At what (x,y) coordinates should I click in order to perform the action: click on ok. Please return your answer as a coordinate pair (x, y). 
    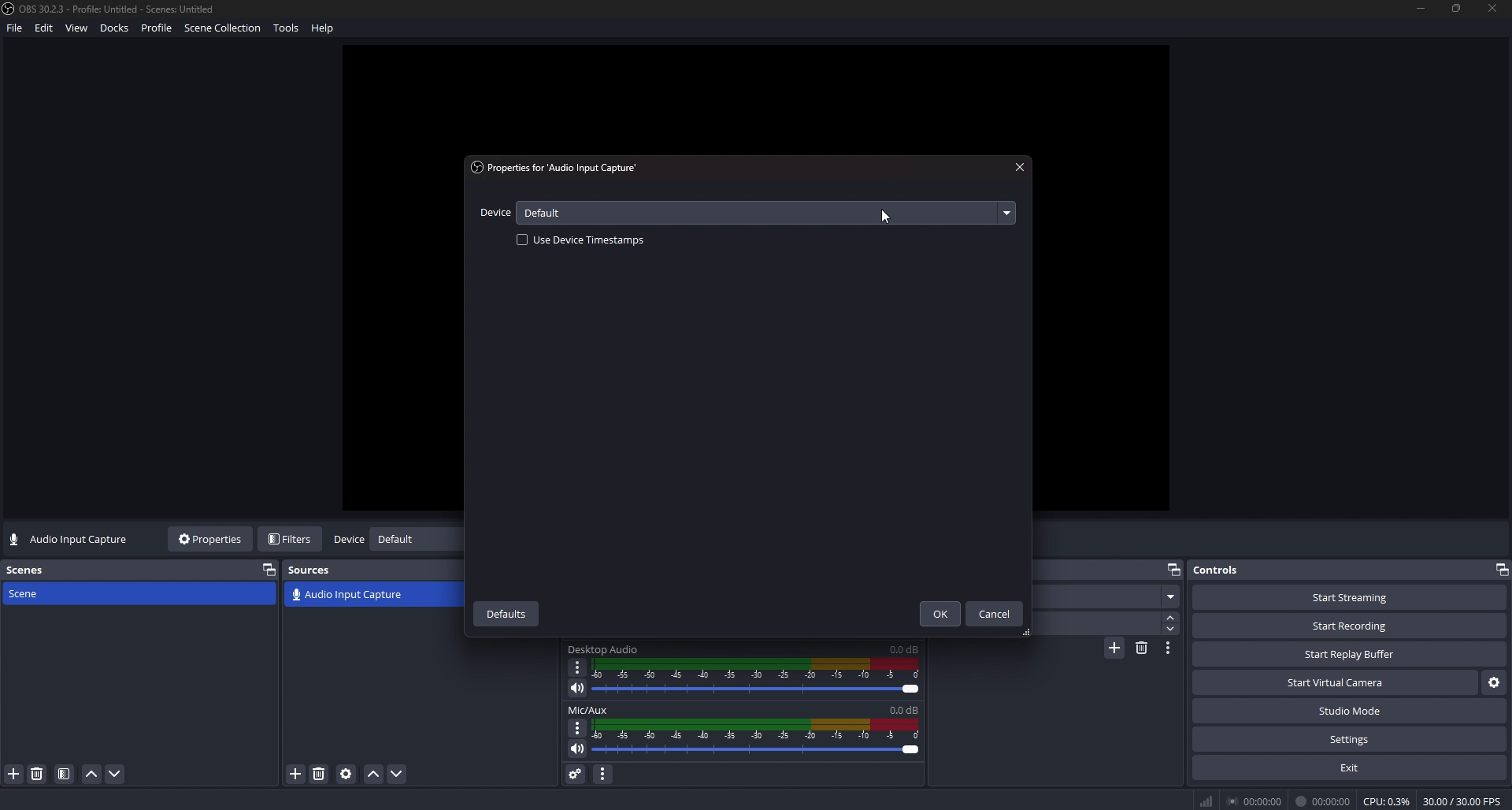
    Looking at the image, I should click on (938, 615).